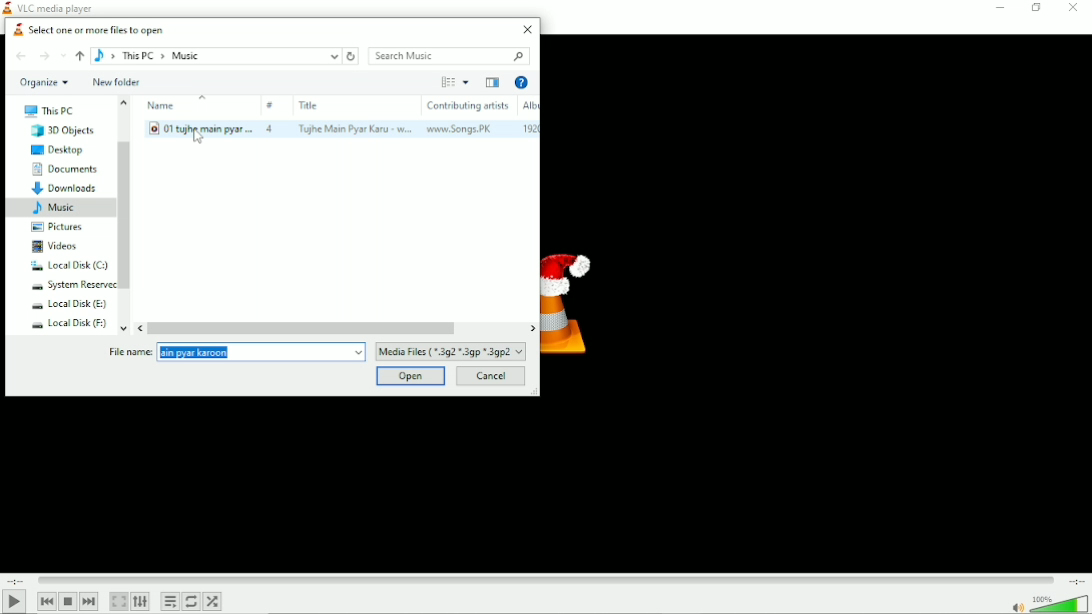 This screenshot has height=614, width=1092. I want to click on up to ''This PC'', so click(80, 56).